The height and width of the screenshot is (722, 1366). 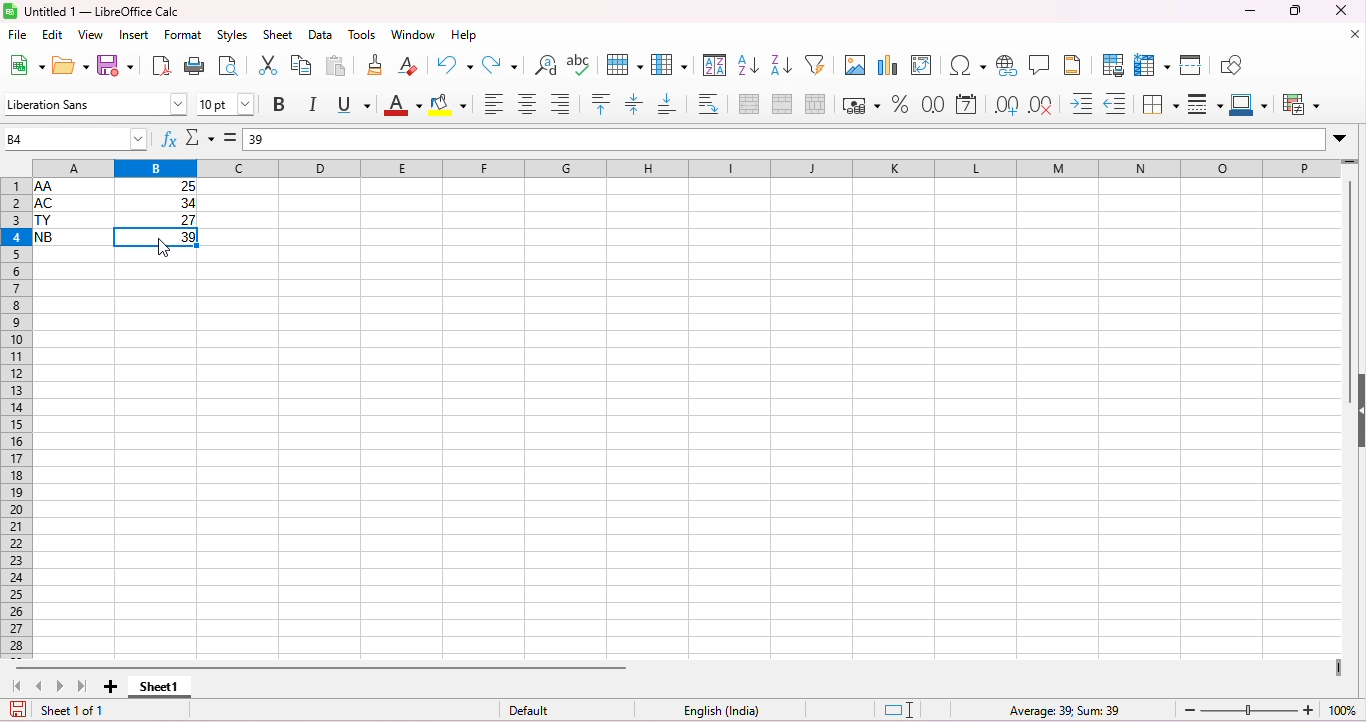 I want to click on select function, so click(x=200, y=137).